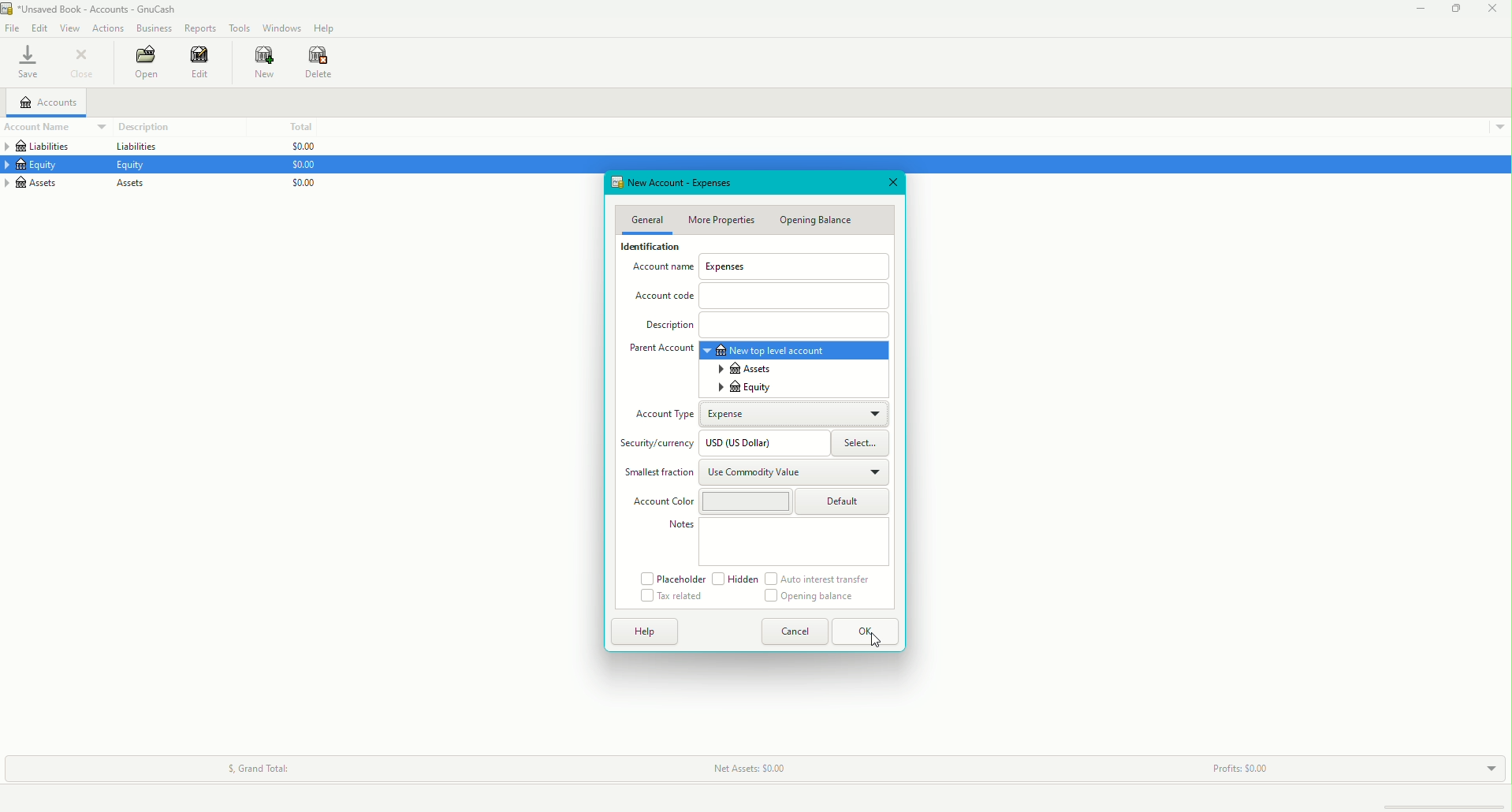  Describe the element at coordinates (303, 167) in the screenshot. I see `$0` at that location.